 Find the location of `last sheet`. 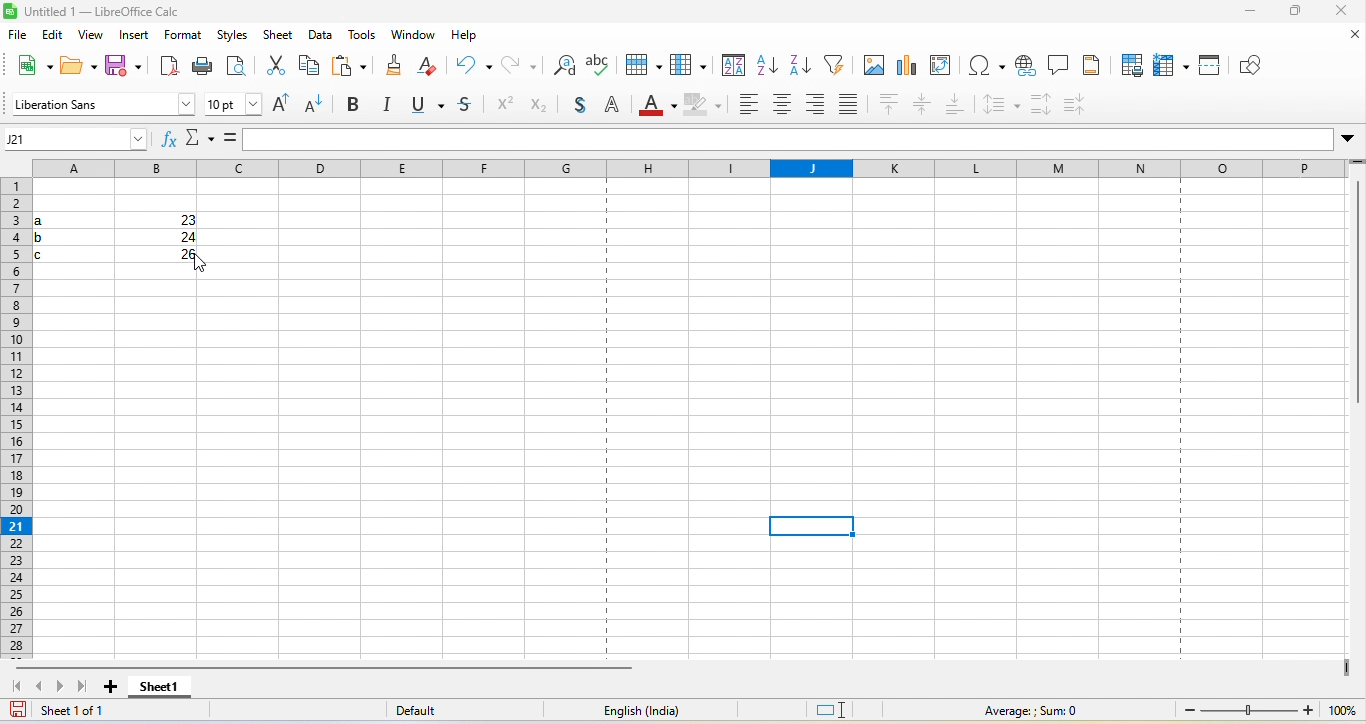

last sheet is located at coordinates (84, 689).